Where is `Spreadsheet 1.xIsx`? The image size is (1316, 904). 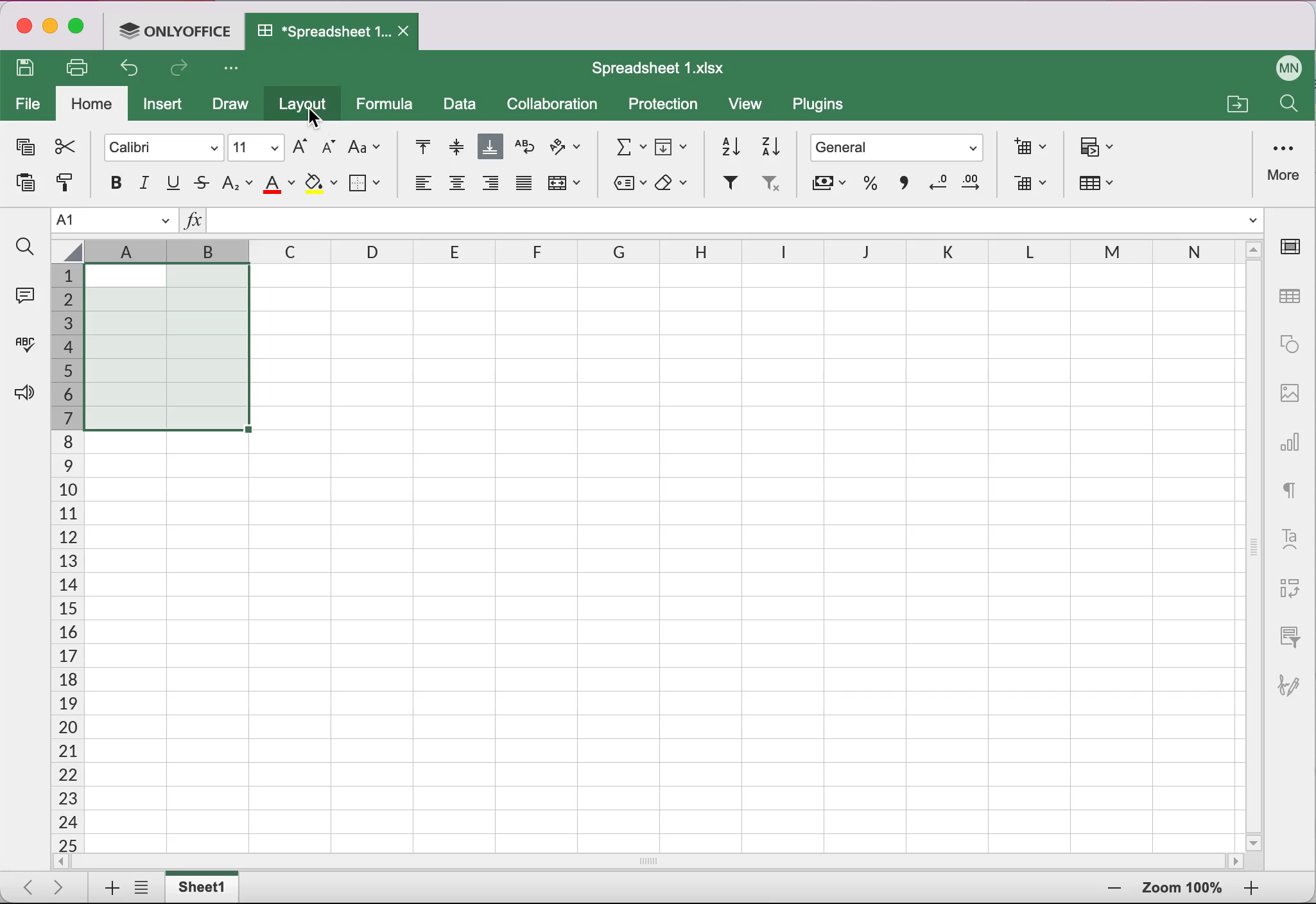
Spreadsheet 1.xIsx is located at coordinates (666, 68).